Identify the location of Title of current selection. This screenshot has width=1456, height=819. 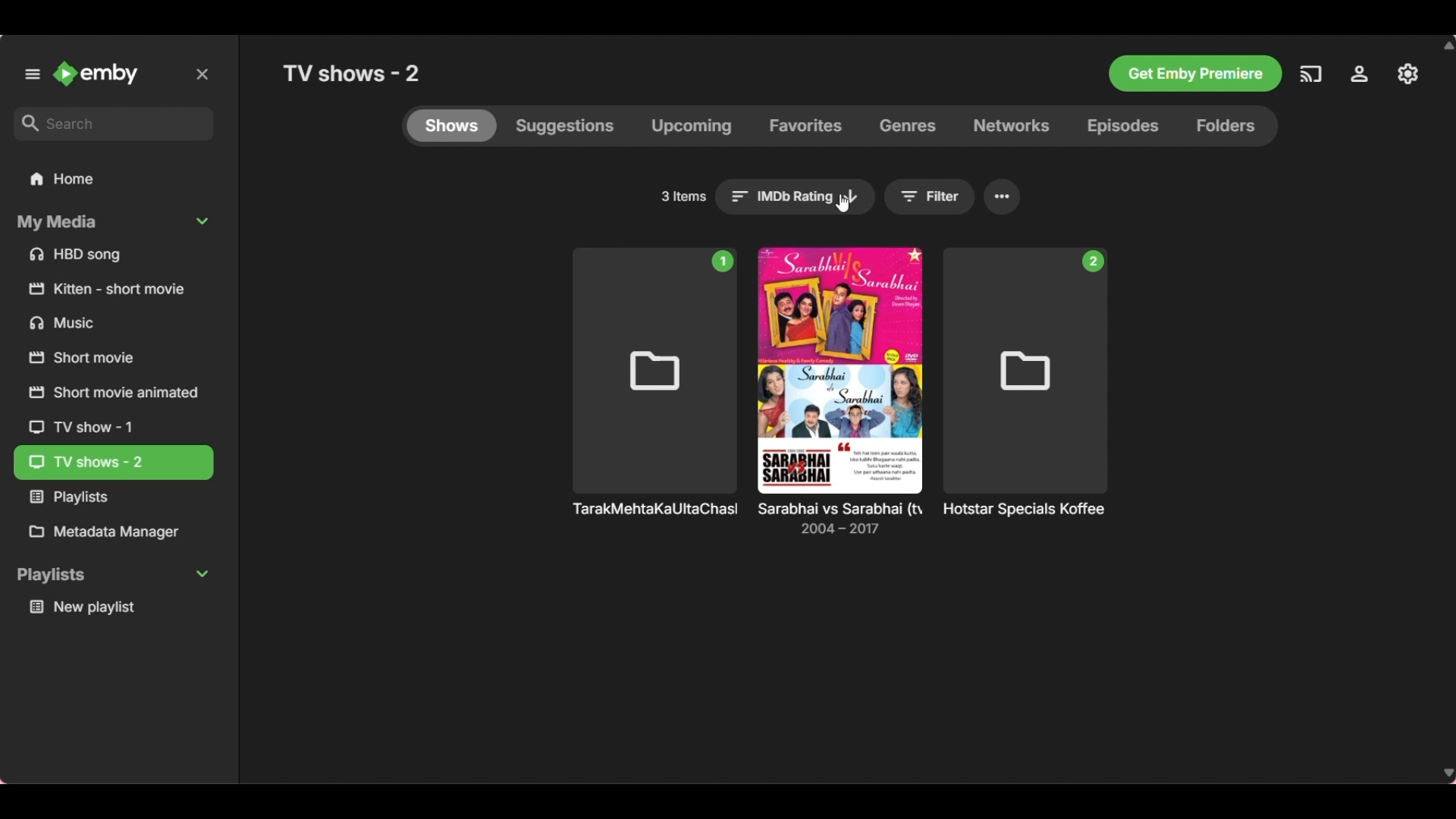
(354, 72).